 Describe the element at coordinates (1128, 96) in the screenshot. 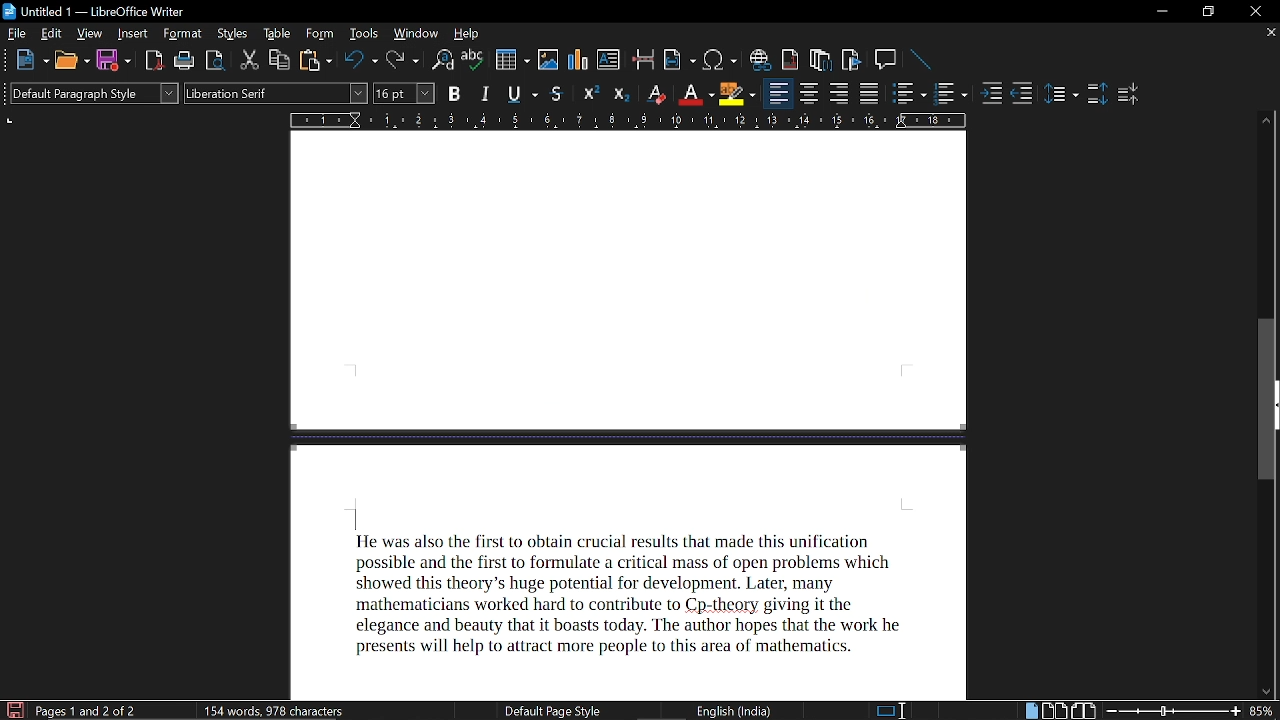

I see `Decrease paragraph spacing` at that location.